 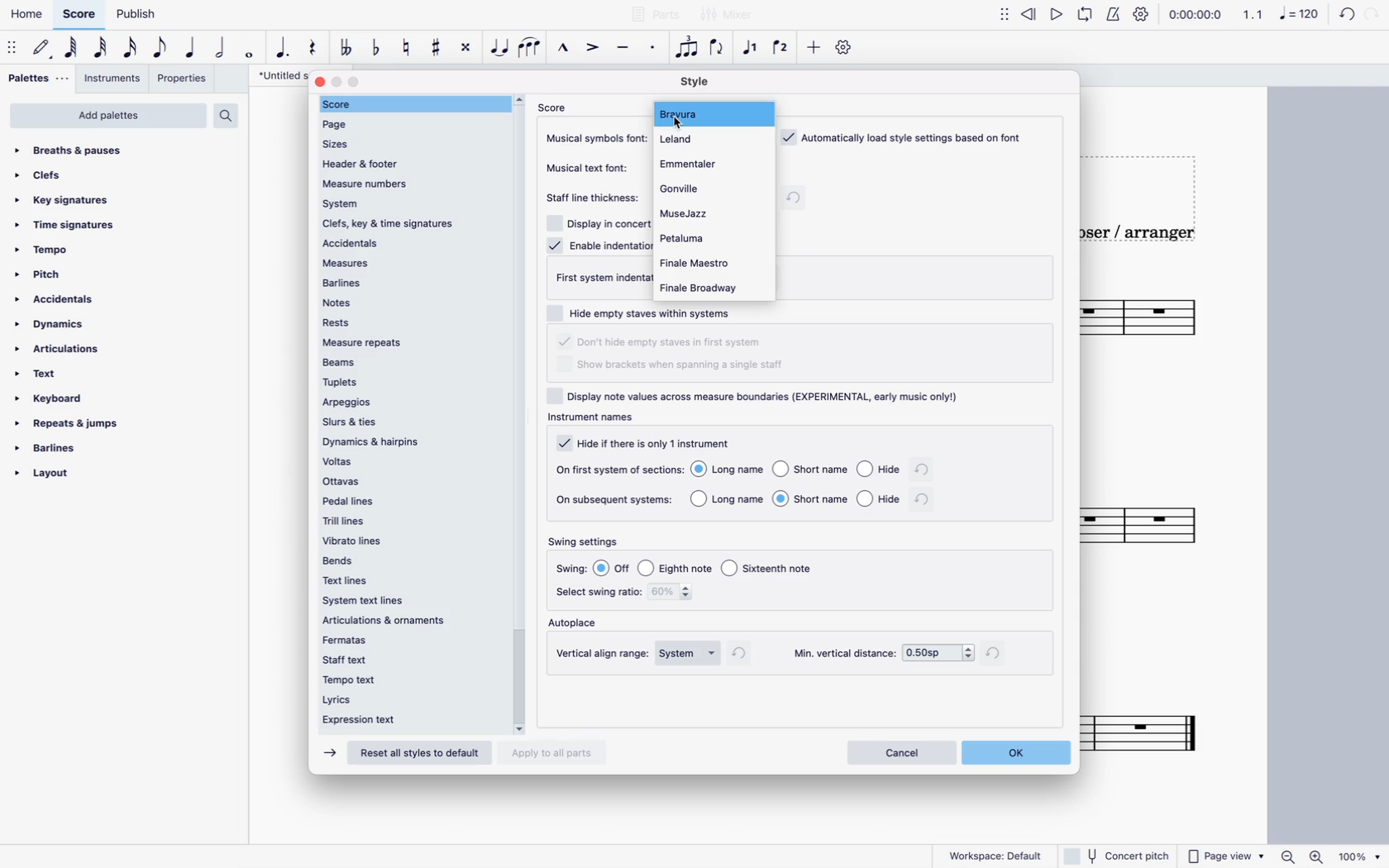 What do you see at coordinates (704, 289) in the screenshot?
I see `finale broadway` at bounding box center [704, 289].